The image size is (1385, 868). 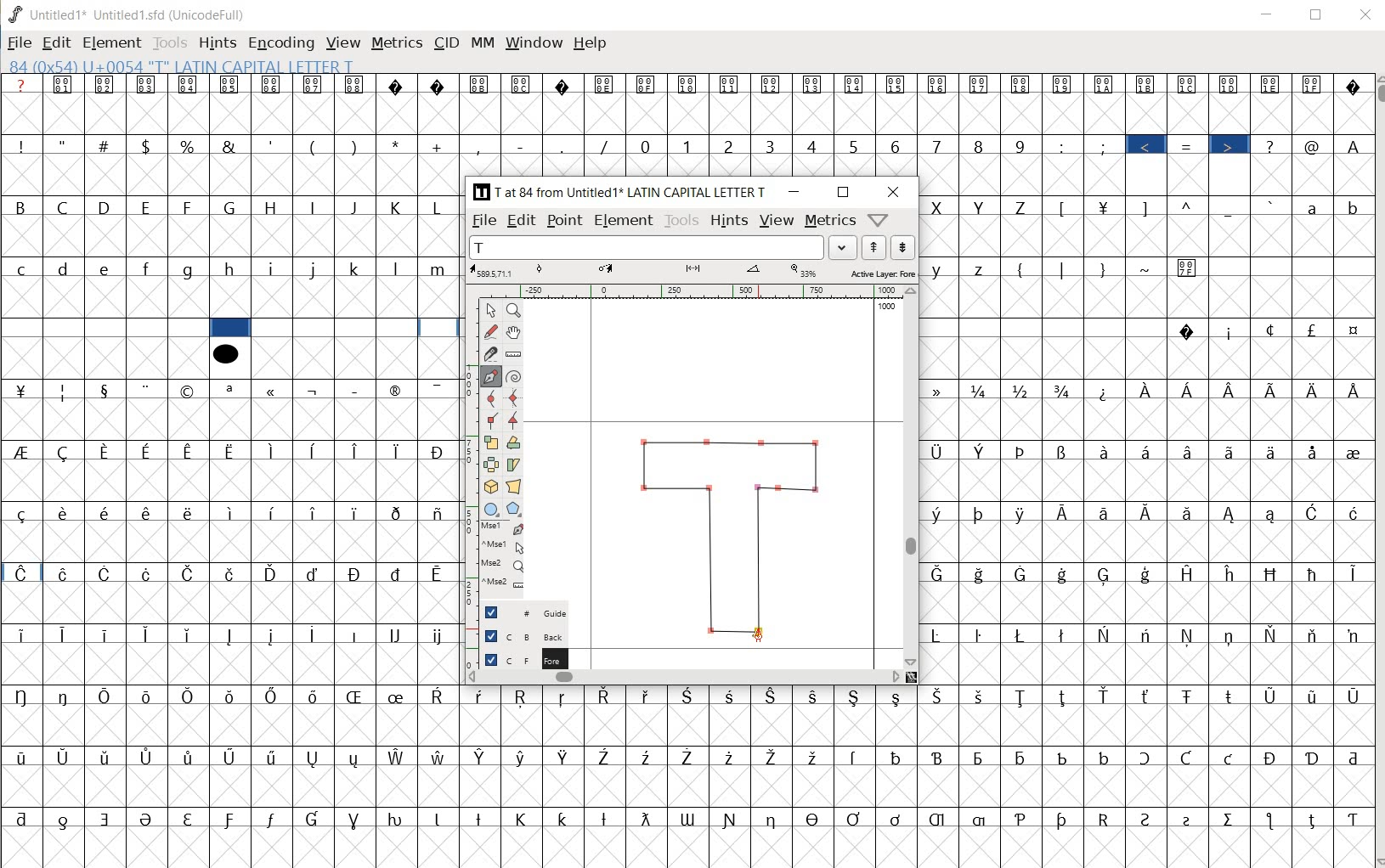 I want to click on tools, so click(x=171, y=42).